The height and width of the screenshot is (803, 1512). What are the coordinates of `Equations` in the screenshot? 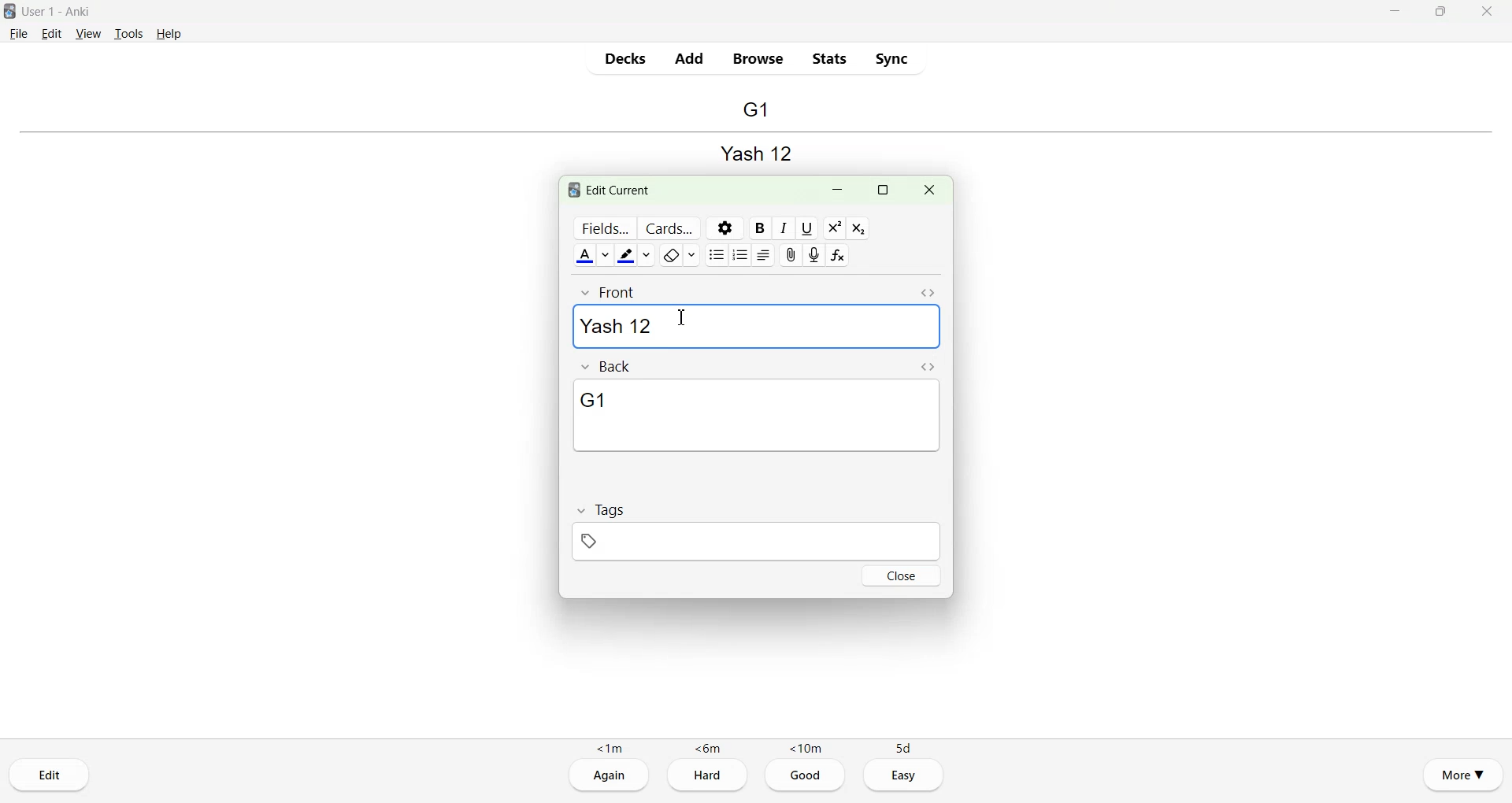 It's located at (839, 255).